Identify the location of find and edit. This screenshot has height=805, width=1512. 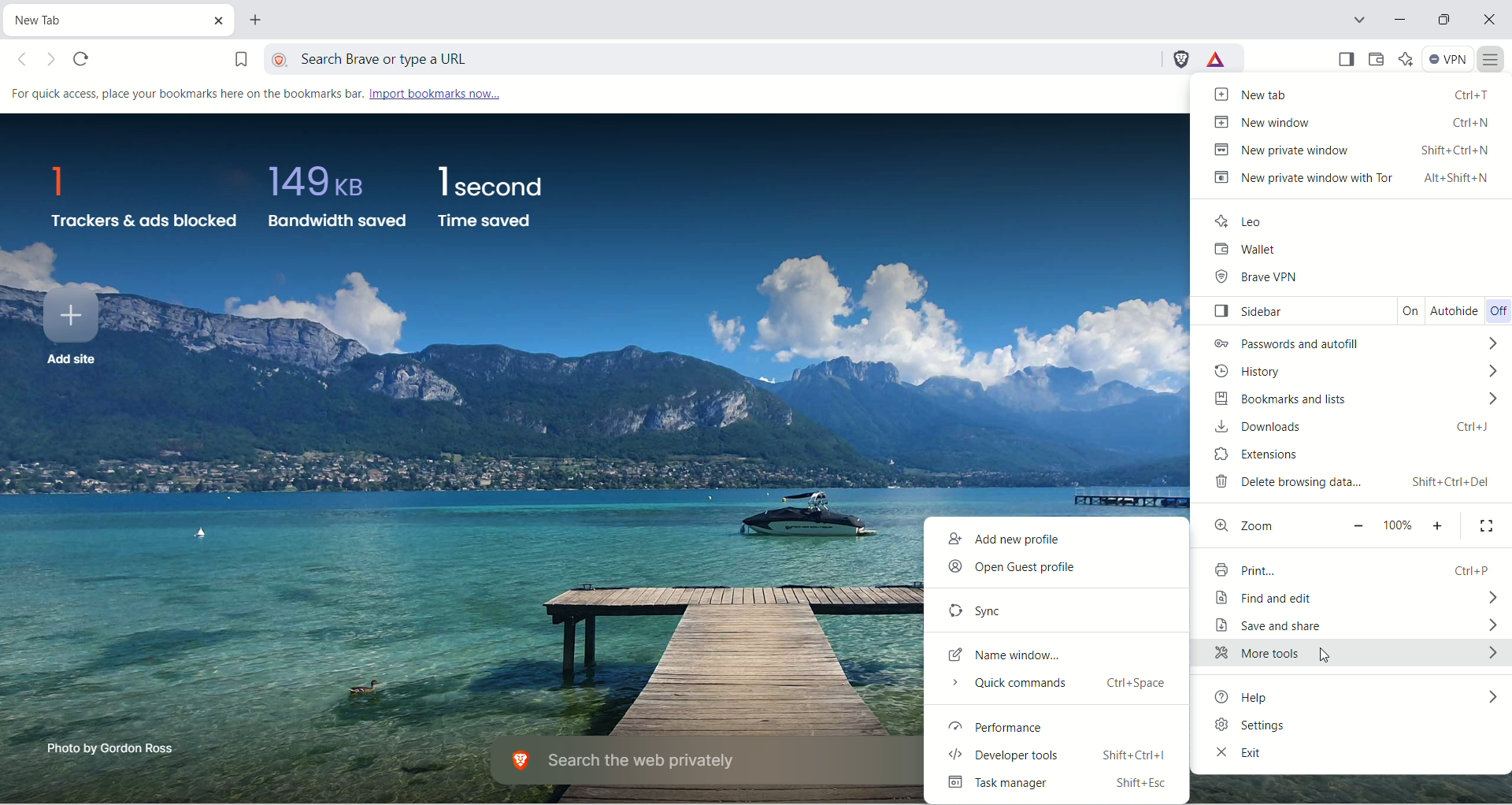
(1354, 596).